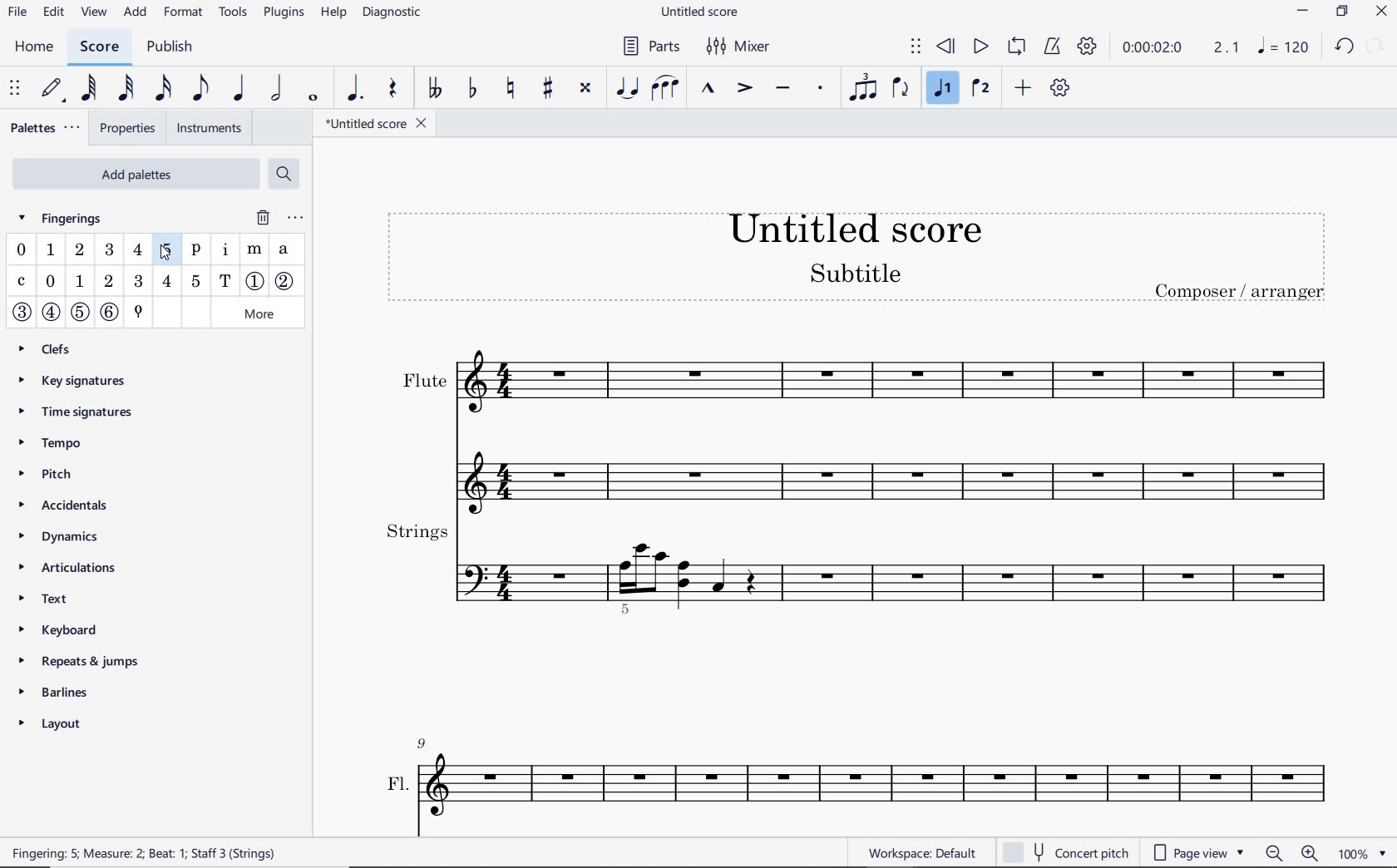 This screenshot has height=868, width=1397. What do you see at coordinates (68, 218) in the screenshot?
I see `fingerings` at bounding box center [68, 218].